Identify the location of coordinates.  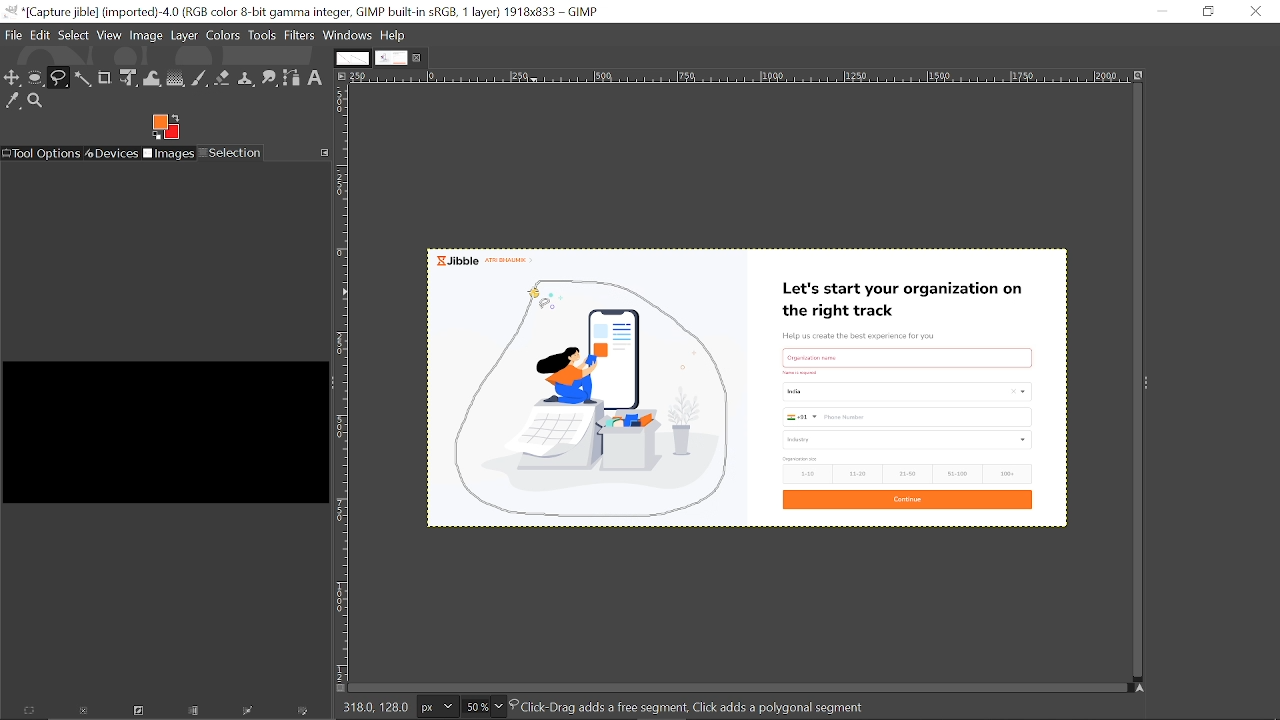
(374, 706).